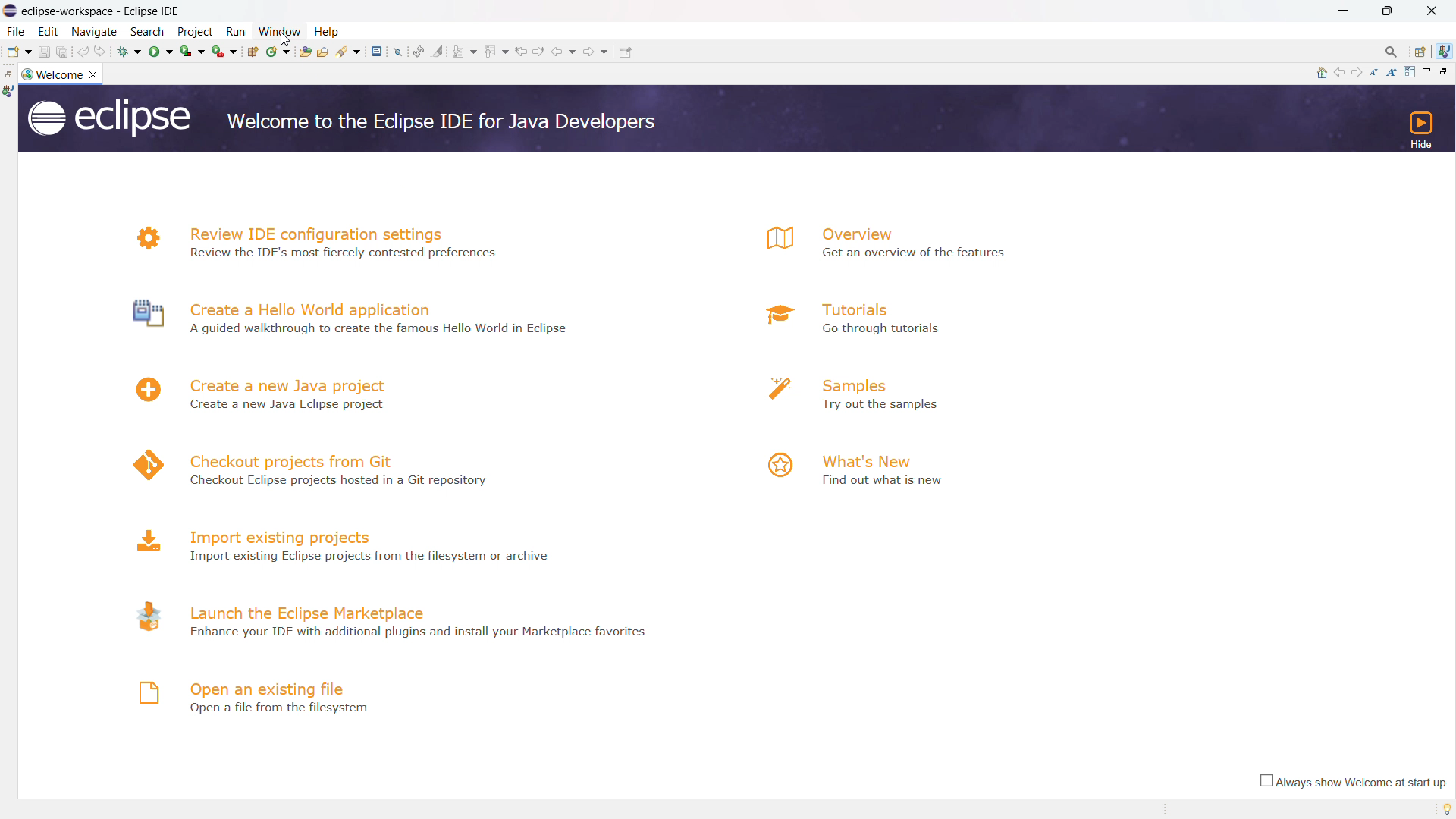  What do you see at coordinates (9, 74) in the screenshot?
I see `restore` at bounding box center [9, 74].